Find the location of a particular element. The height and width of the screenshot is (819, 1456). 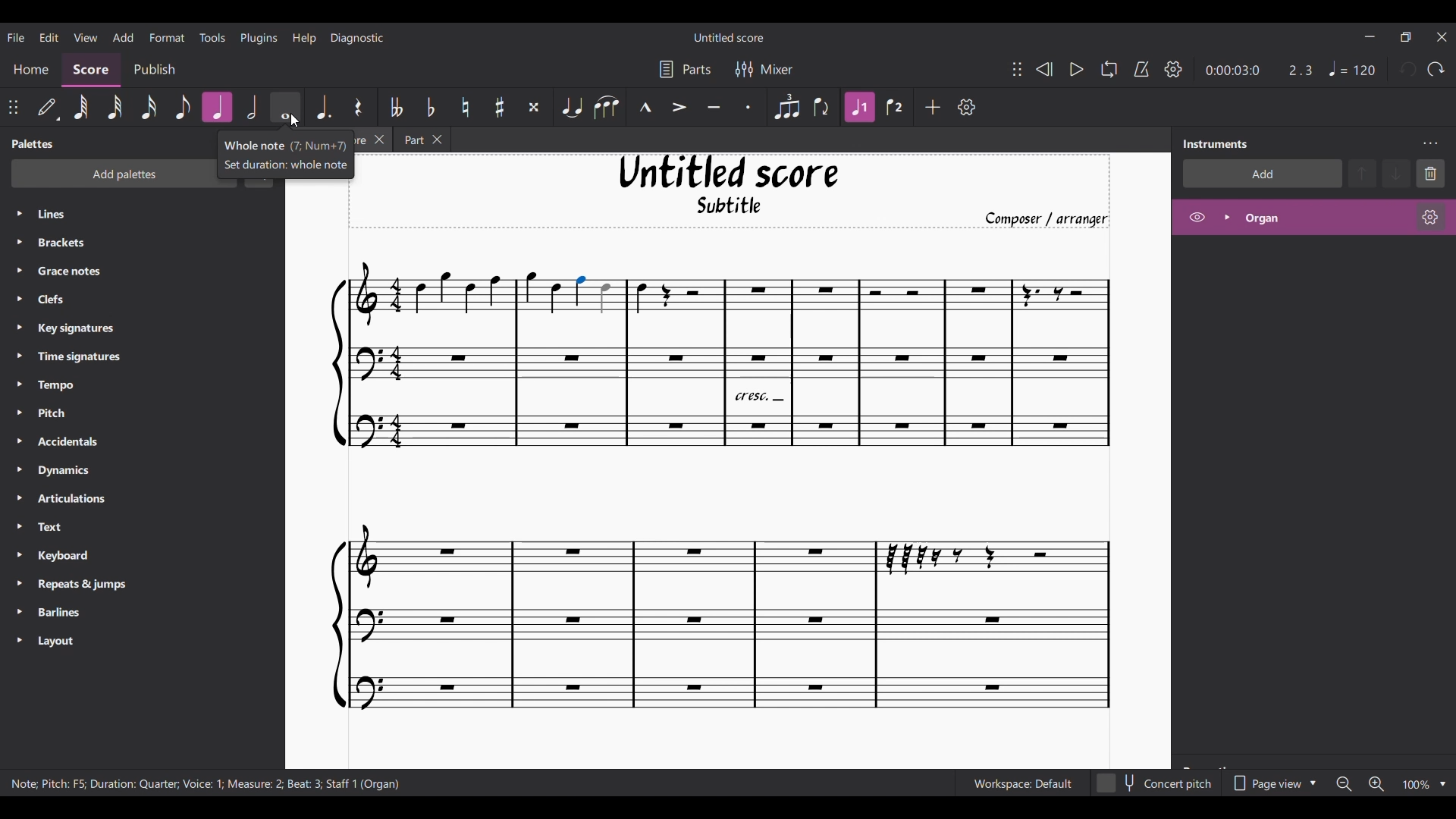

Plugins menu is located at coordinates (258, 37).